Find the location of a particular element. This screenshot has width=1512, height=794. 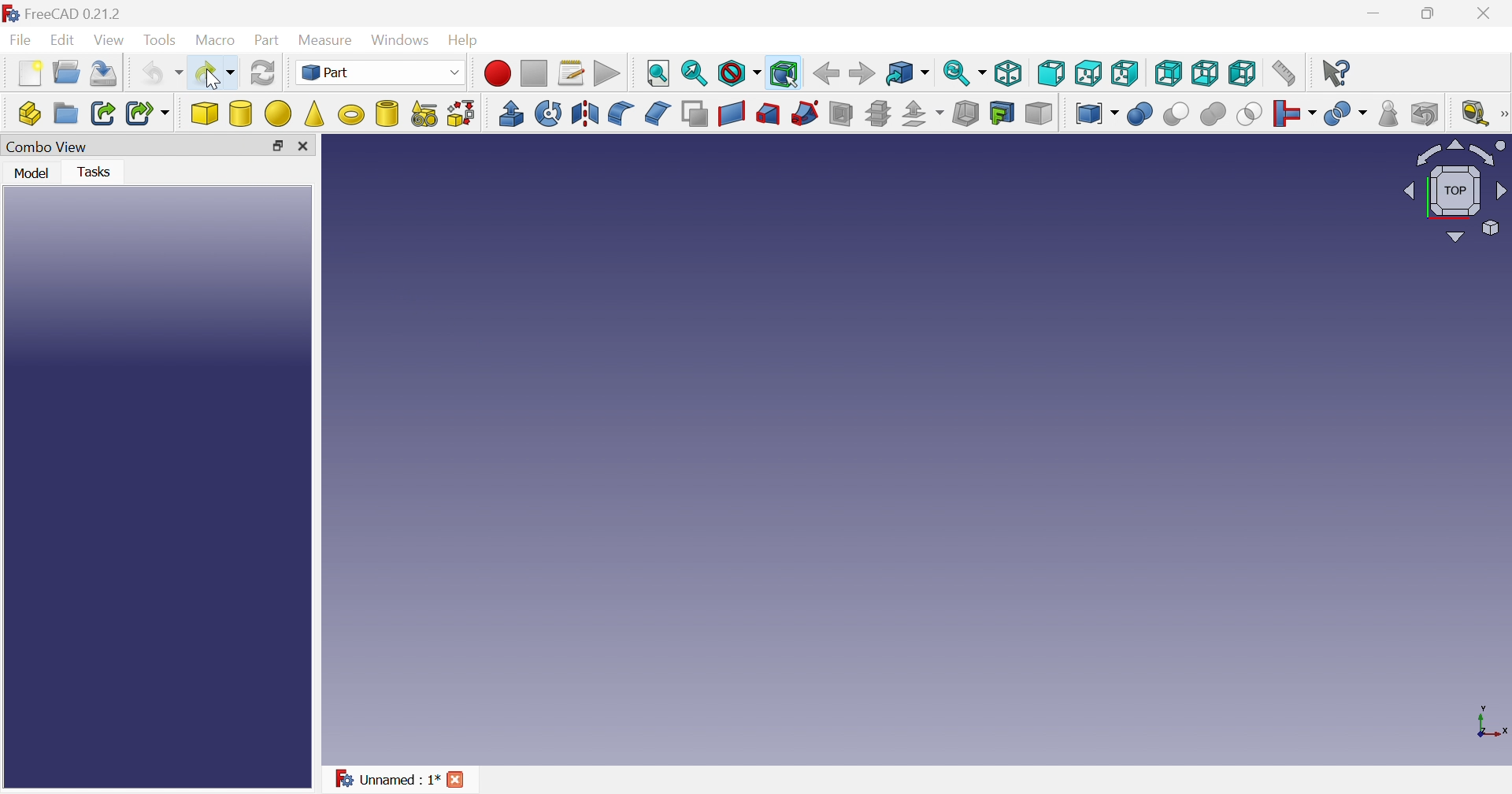

Measure is located at coordinates (328, 41).